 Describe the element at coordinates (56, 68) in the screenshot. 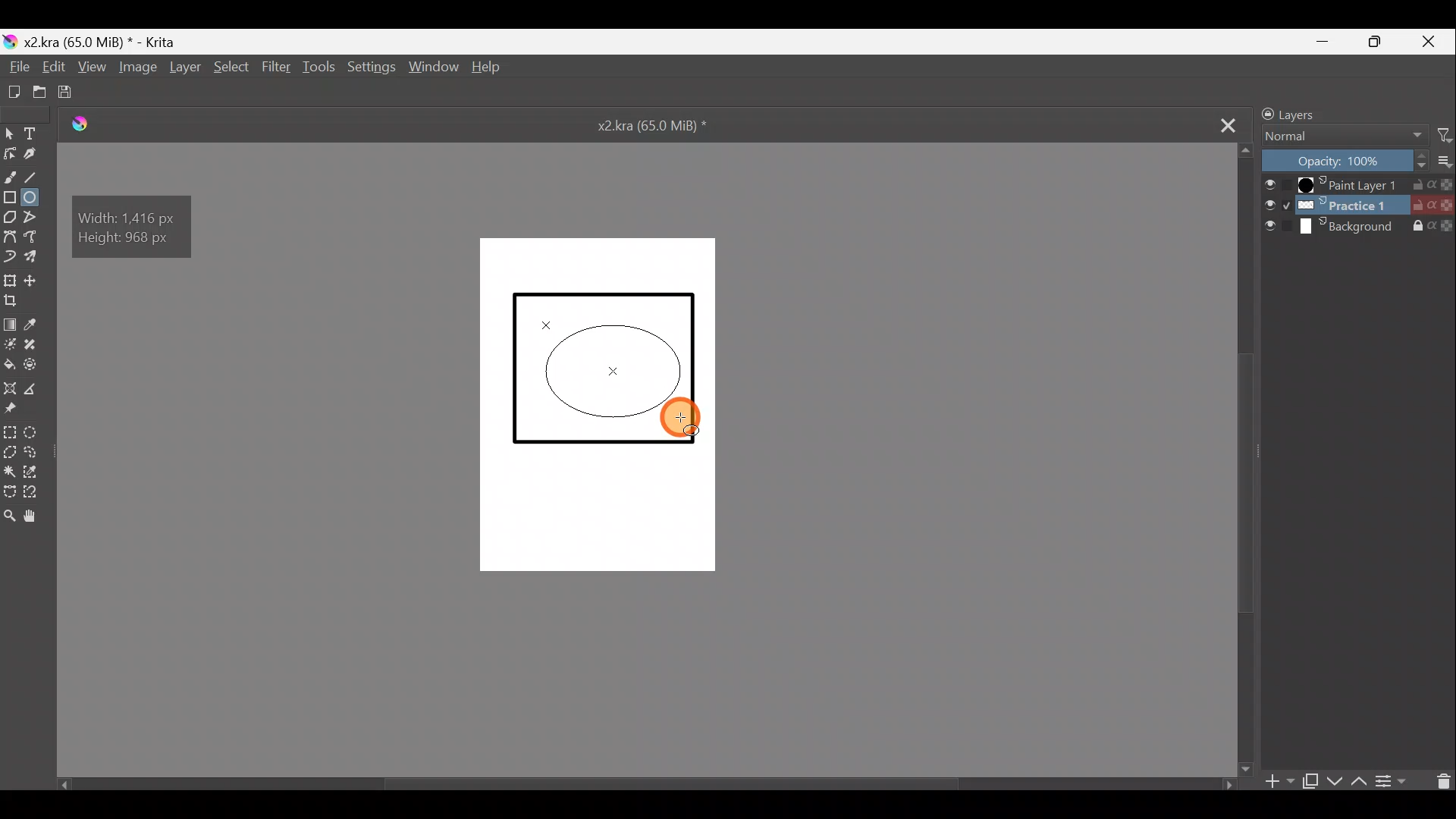

I see `Edit` at that location.